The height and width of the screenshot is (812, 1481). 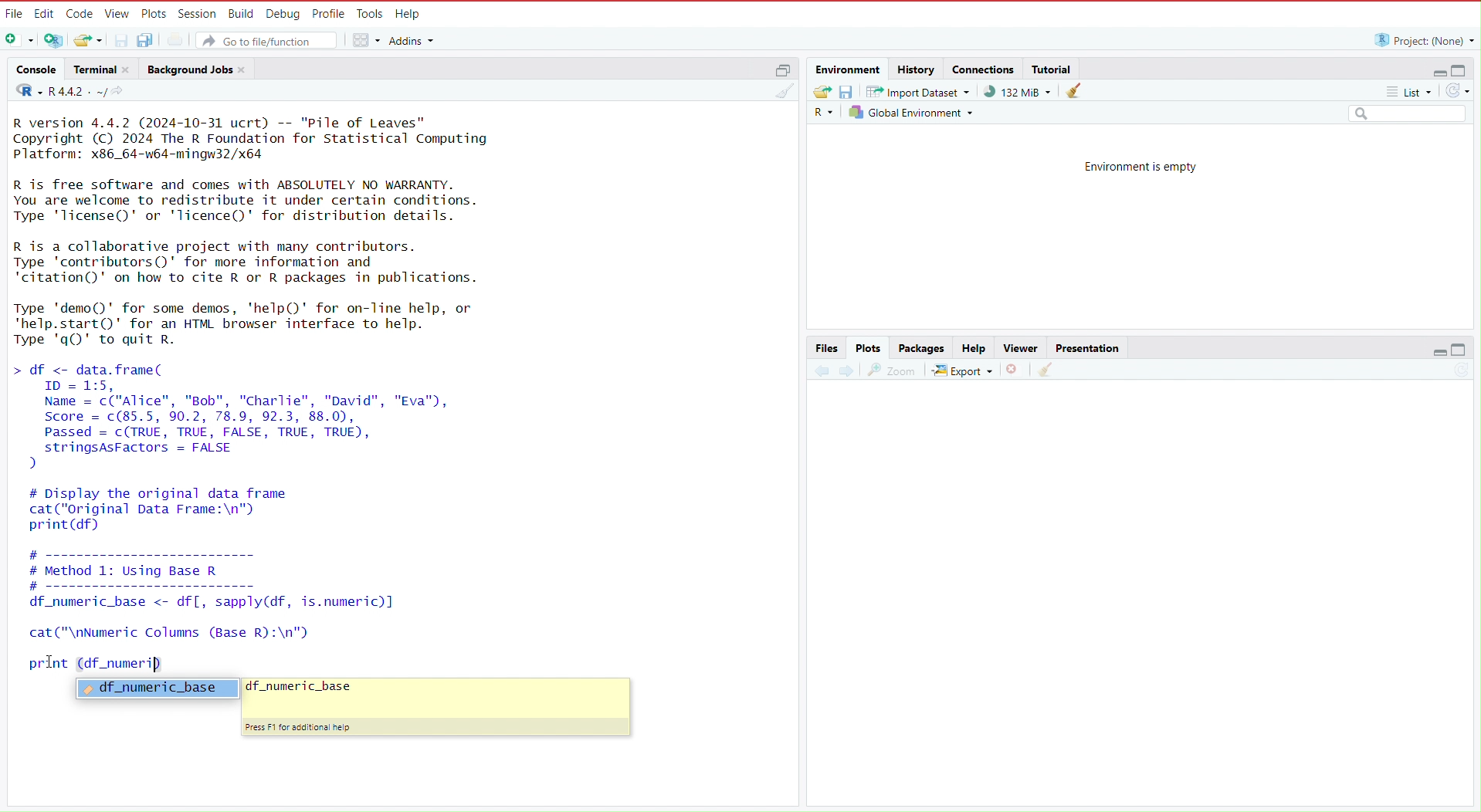 What do you see at coordinates (1014, 370) in the screenshot?
I see `remove the current plot` at bounding box center [1014, 370].